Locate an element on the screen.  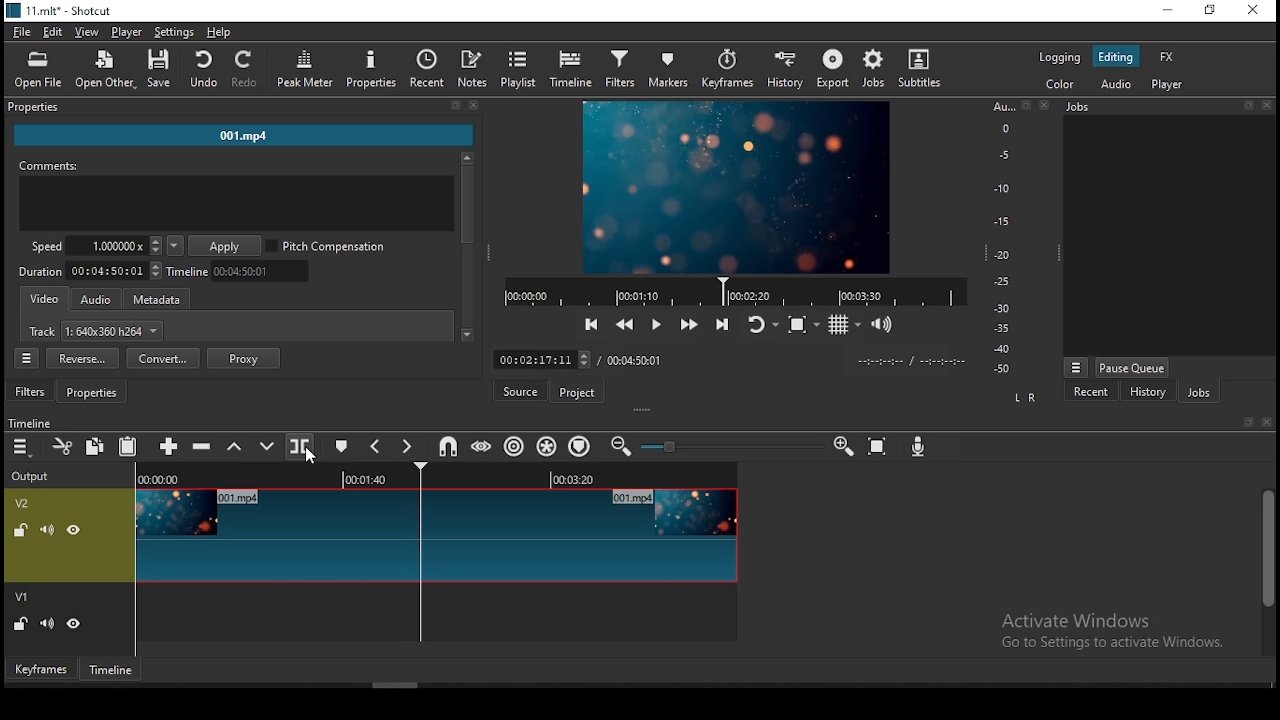
lift is located at coordinates (232, 447).